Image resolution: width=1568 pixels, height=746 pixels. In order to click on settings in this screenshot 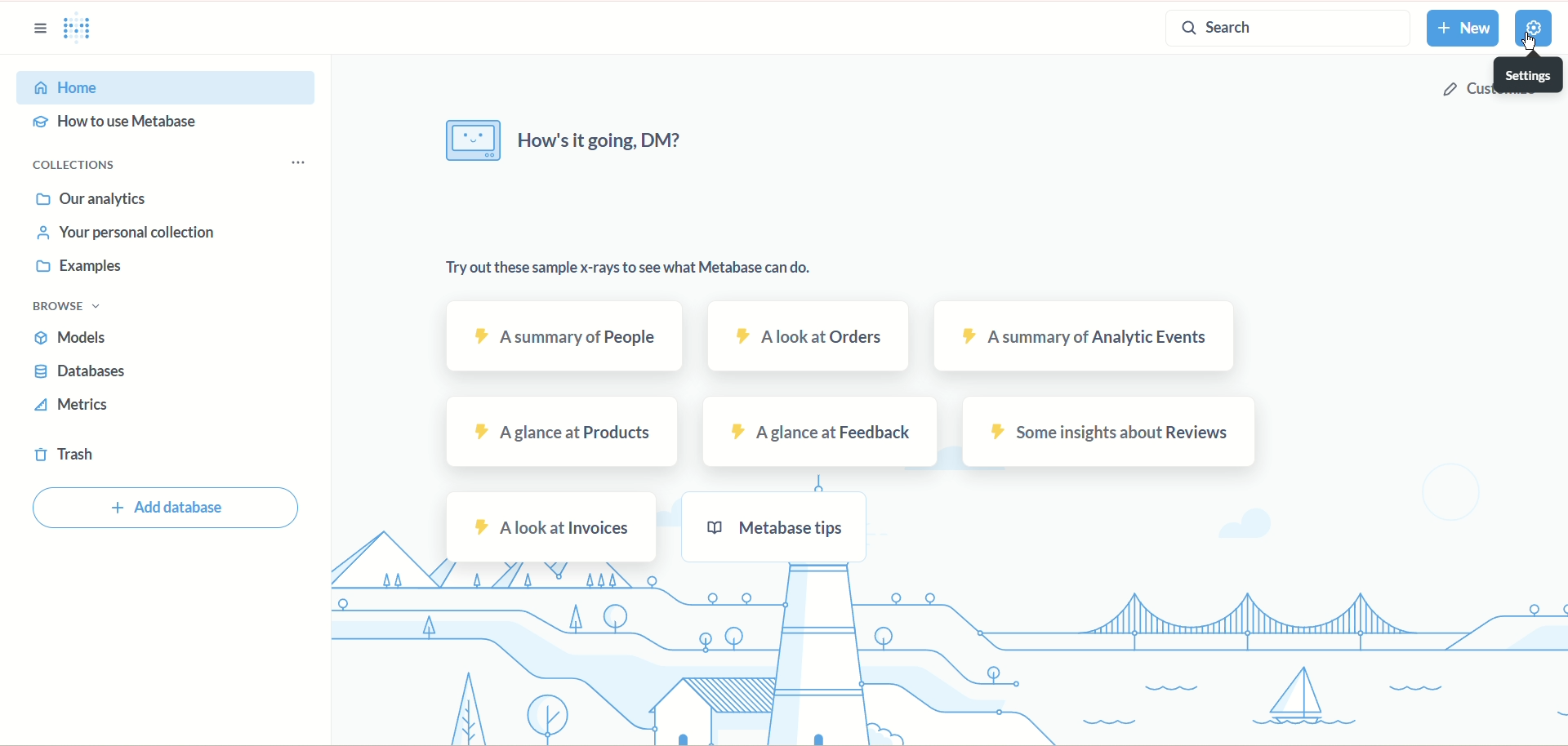, I will do `click(1527, 74)`.